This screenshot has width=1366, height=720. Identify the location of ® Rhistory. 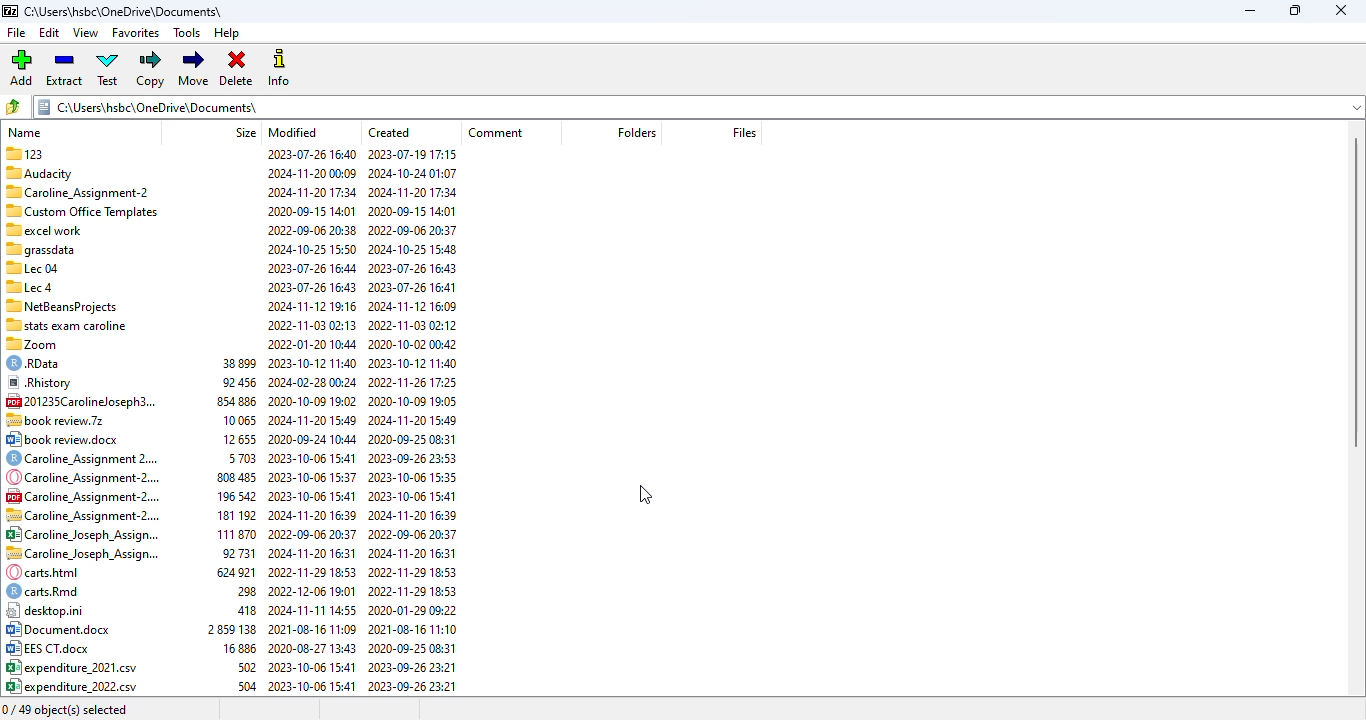
(40, 381).